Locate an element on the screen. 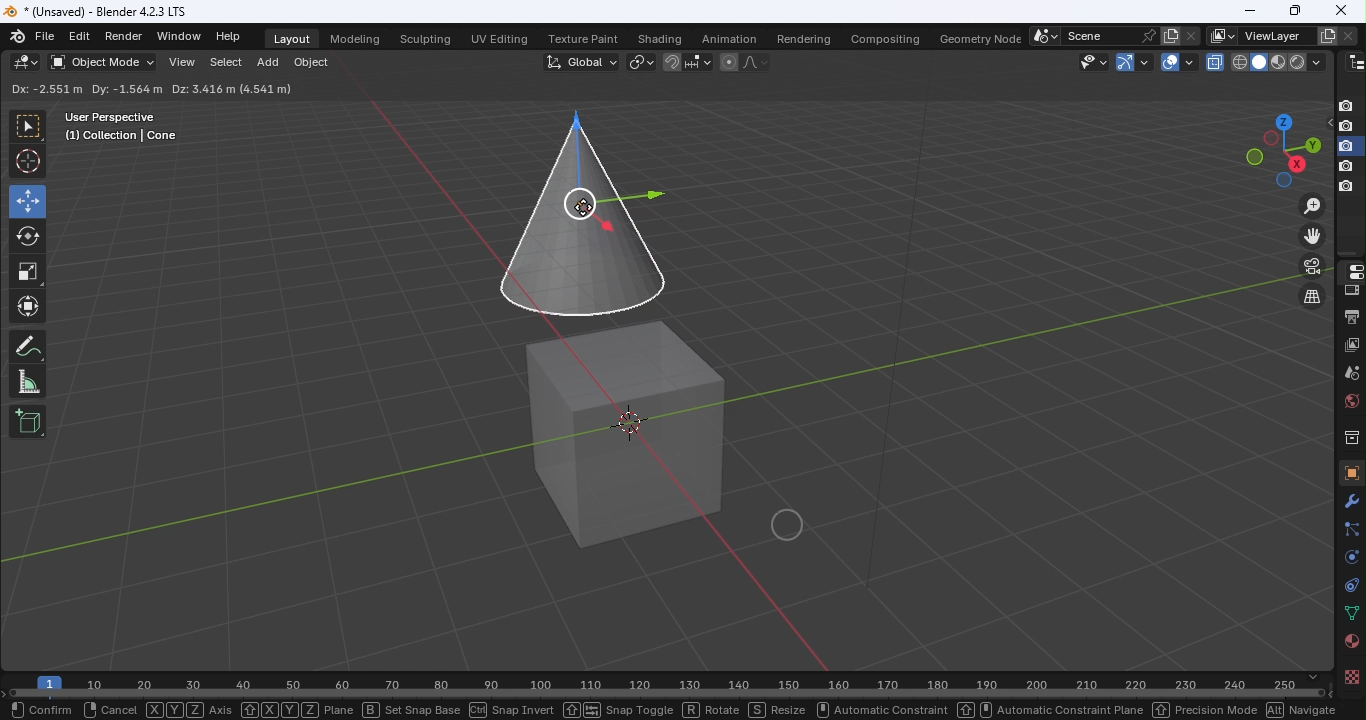 This screenshot has height=720, width=1366. Overlays is located at coordinates (1189, 62).